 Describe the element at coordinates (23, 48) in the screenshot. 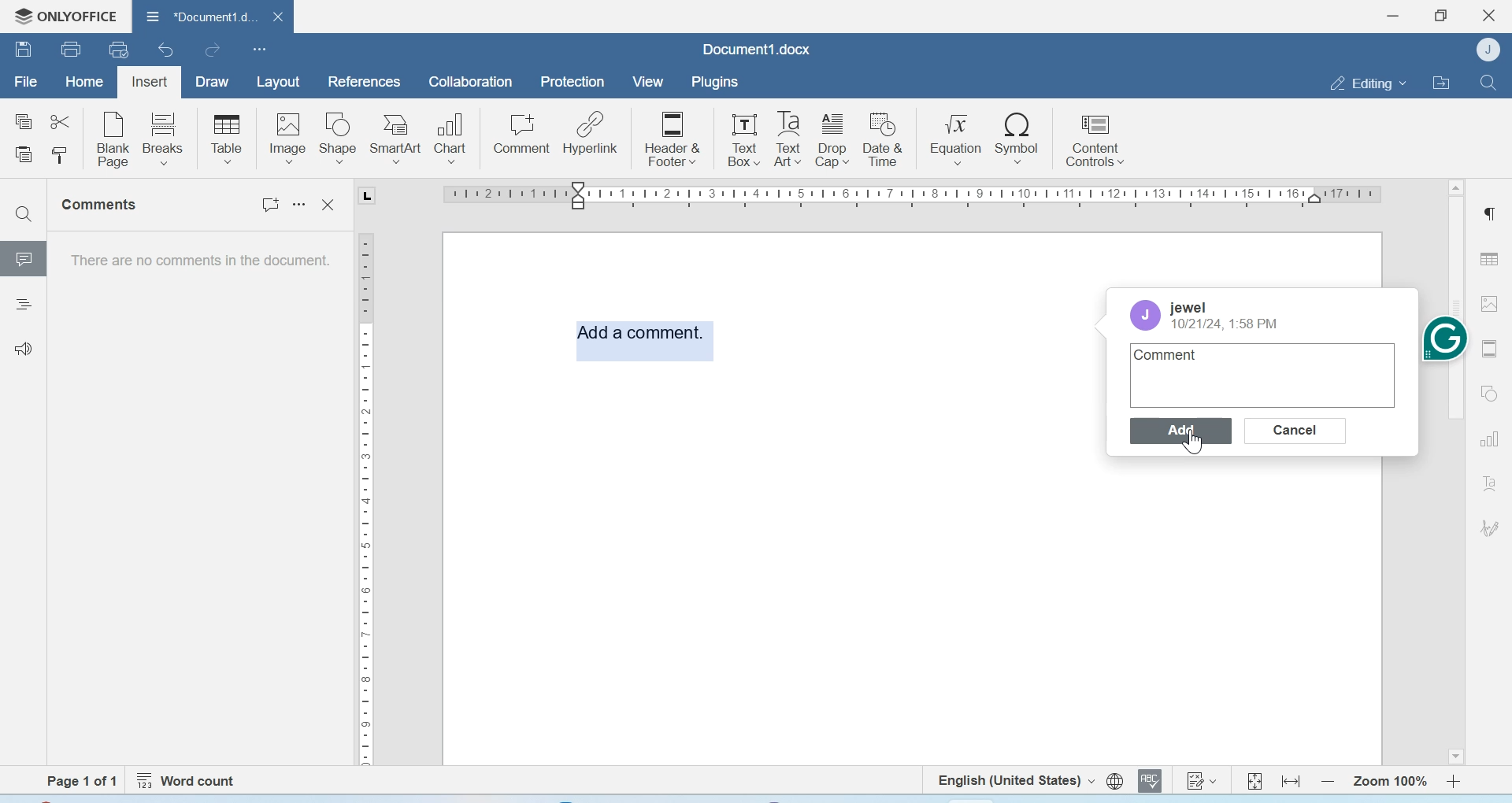

I see `Save` at that location.